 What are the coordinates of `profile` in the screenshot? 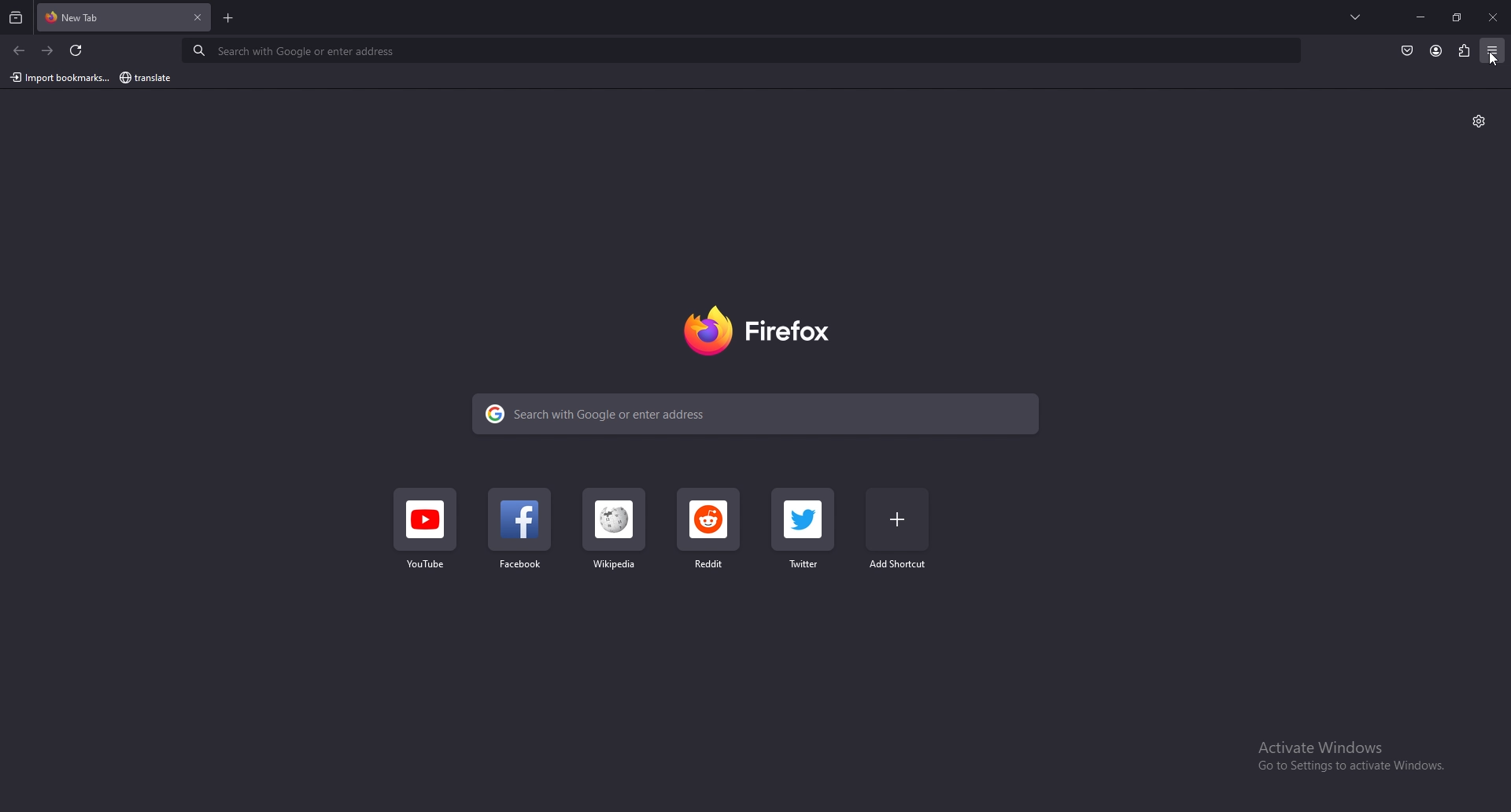 It's located at (1436, 52).